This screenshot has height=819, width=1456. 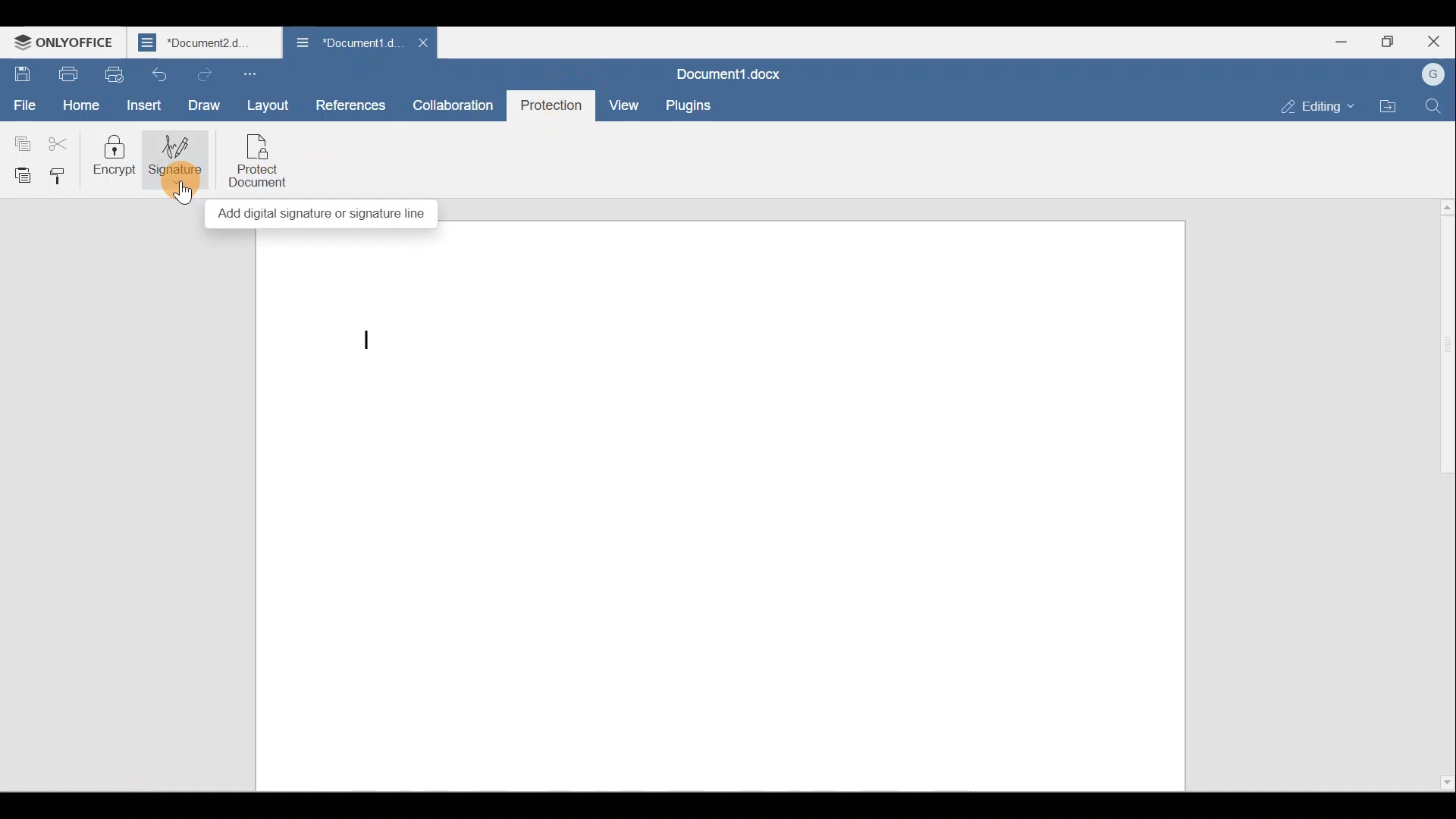 What do you see at coordinates (1392, 105) in the screenshot?
I see `Open file location` at bounding box center [1392, 105].